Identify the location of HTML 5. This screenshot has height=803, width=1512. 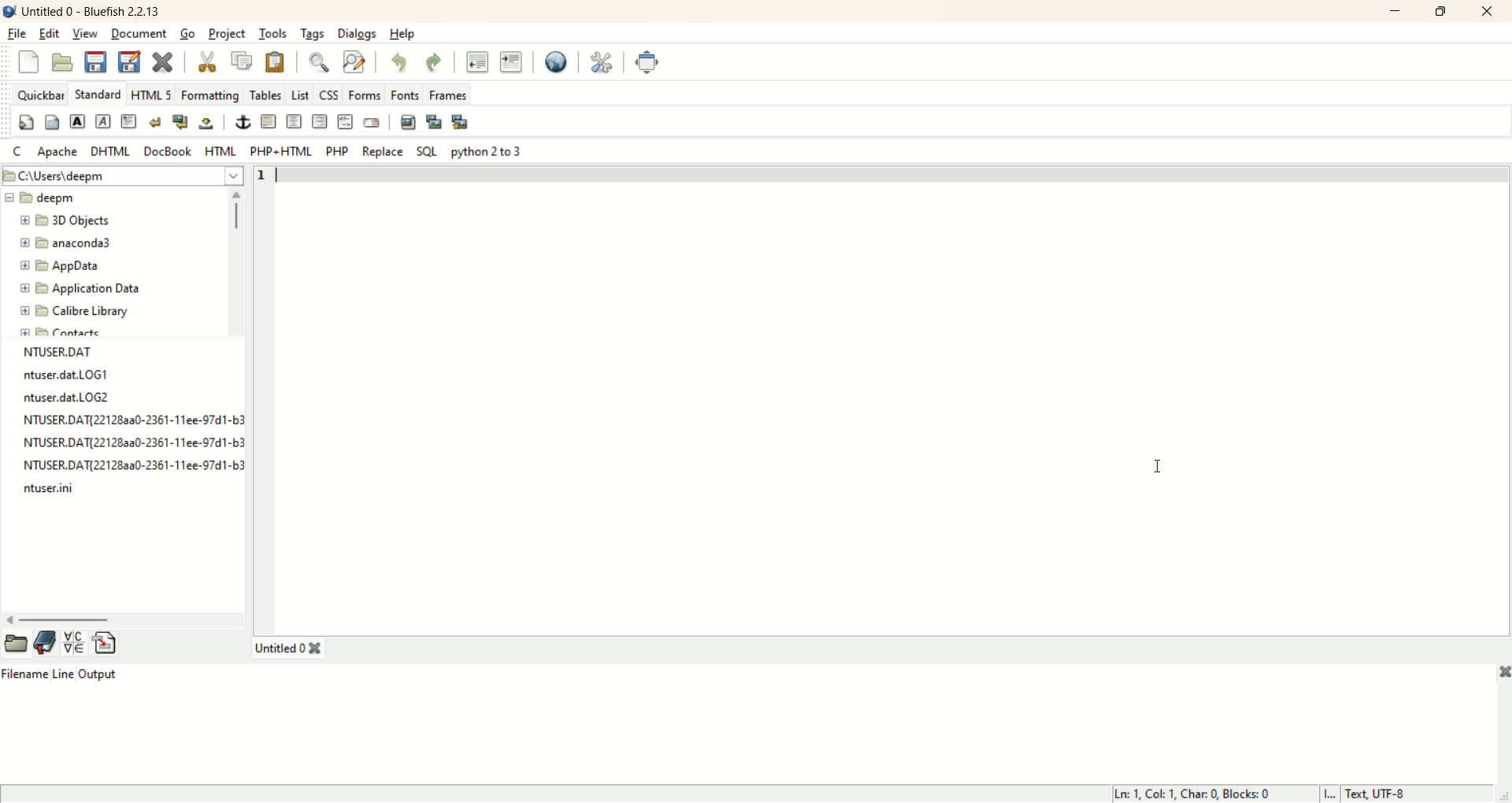
(152, 94).